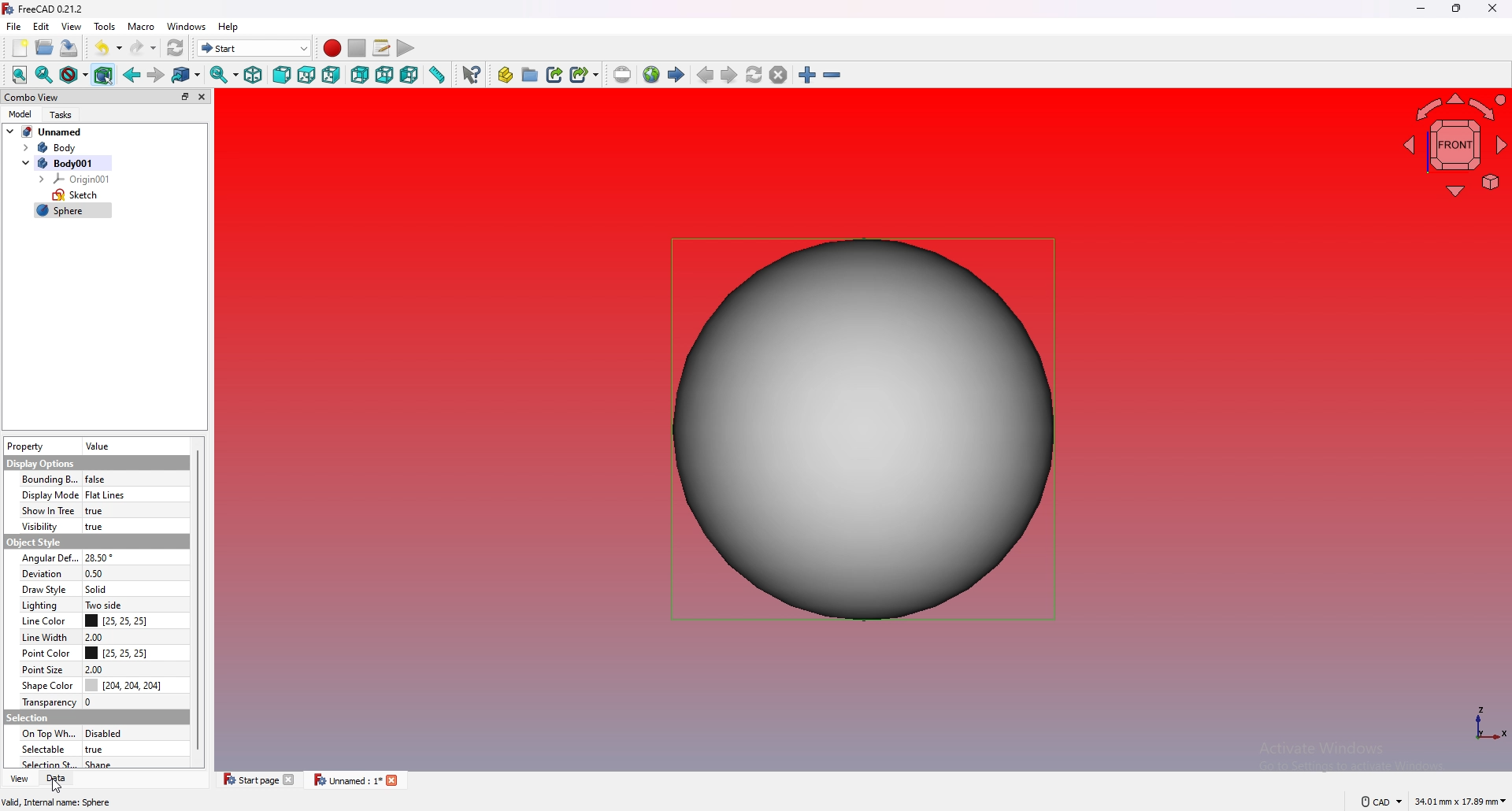 Image resolution: width=1512 pixels, height=811 pixels. What do you see at coordinates (94, 588) in the screenshot?
I see `draw style` at bounding box center [94, 588].